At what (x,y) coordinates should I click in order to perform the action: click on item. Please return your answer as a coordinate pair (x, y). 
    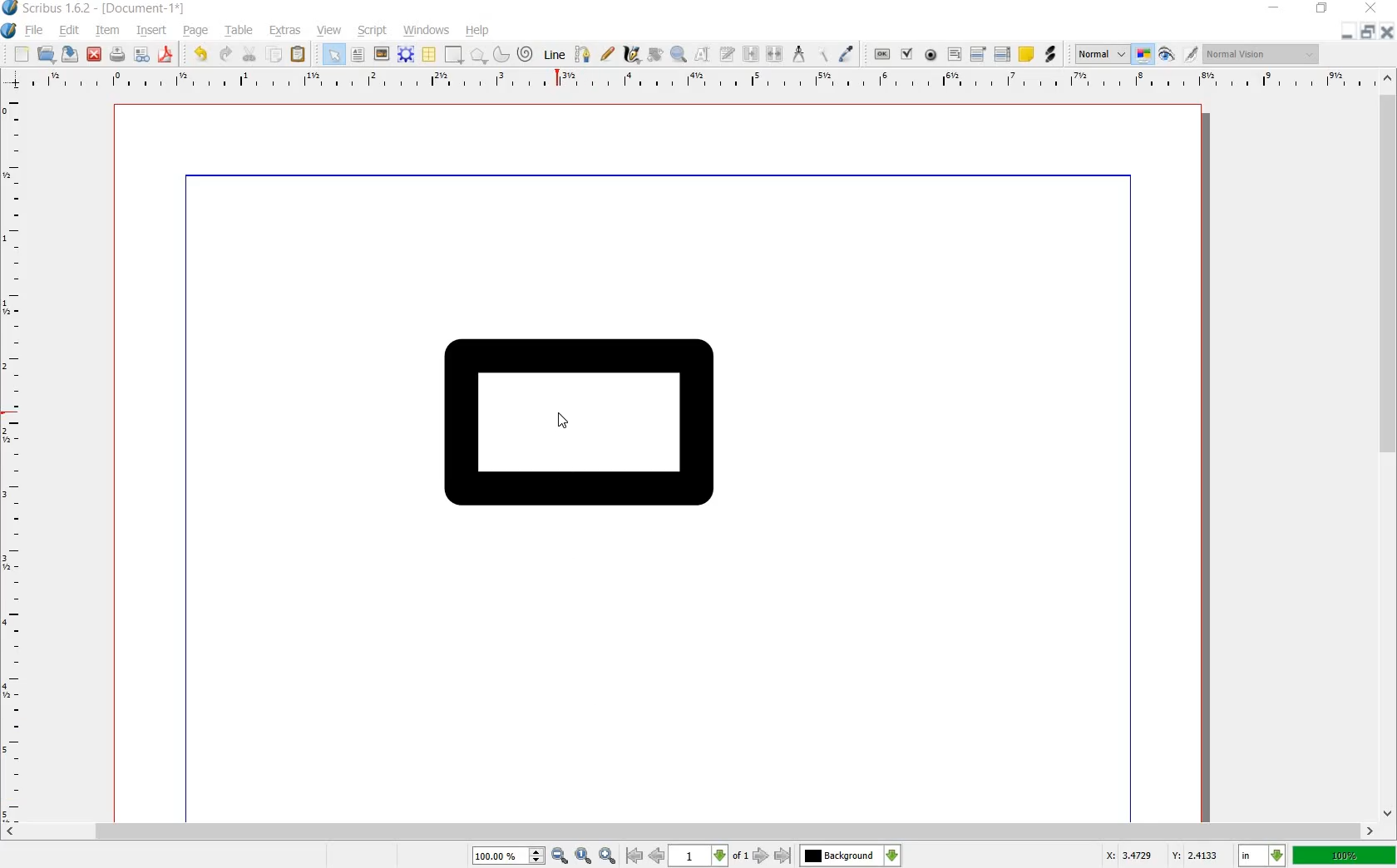
    Looking at the image, I should click on (105, 30).